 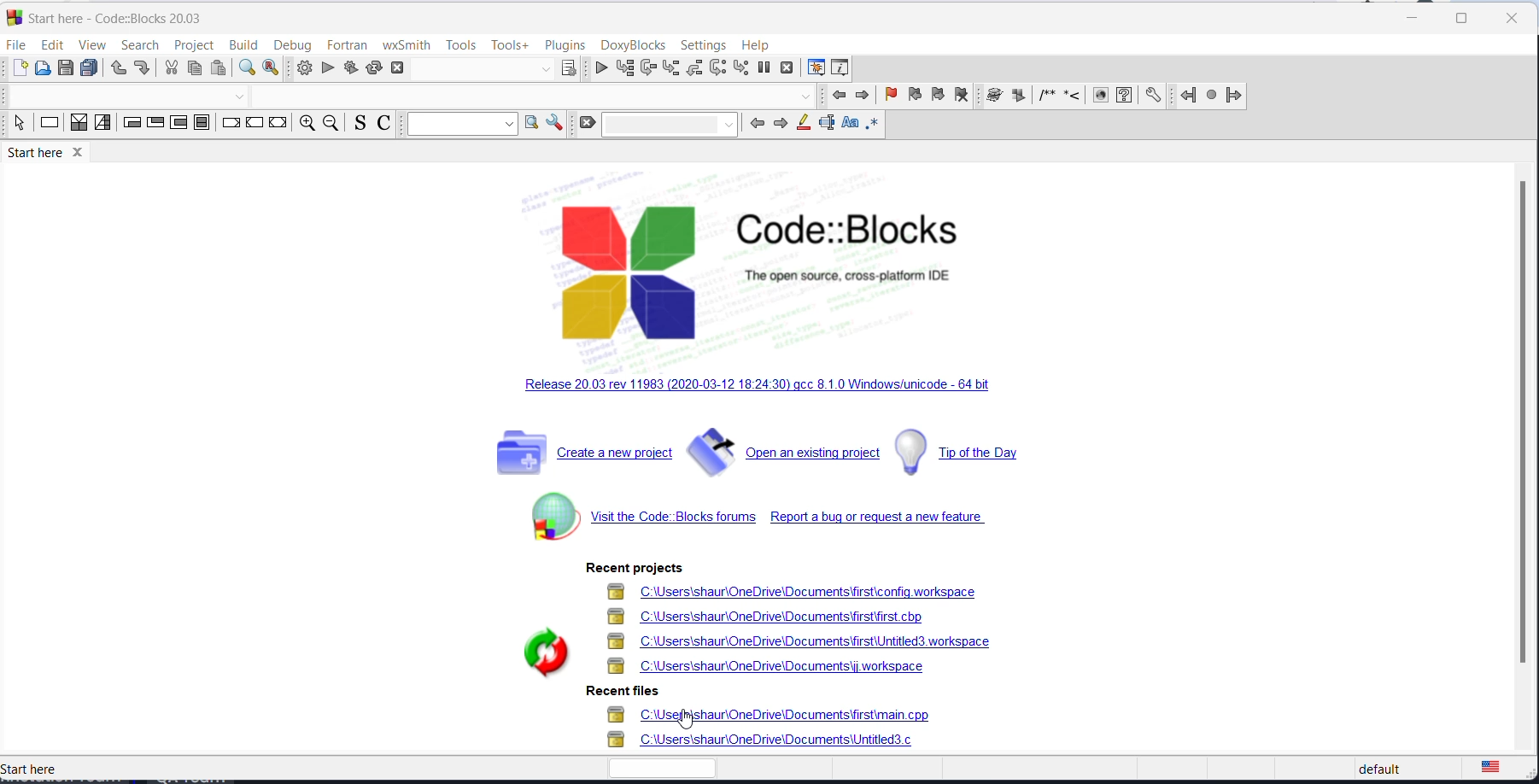 What do you see at coordinates (112, 17) in the screenshot?
I see `start here tab` at bounding box center [112, 17].